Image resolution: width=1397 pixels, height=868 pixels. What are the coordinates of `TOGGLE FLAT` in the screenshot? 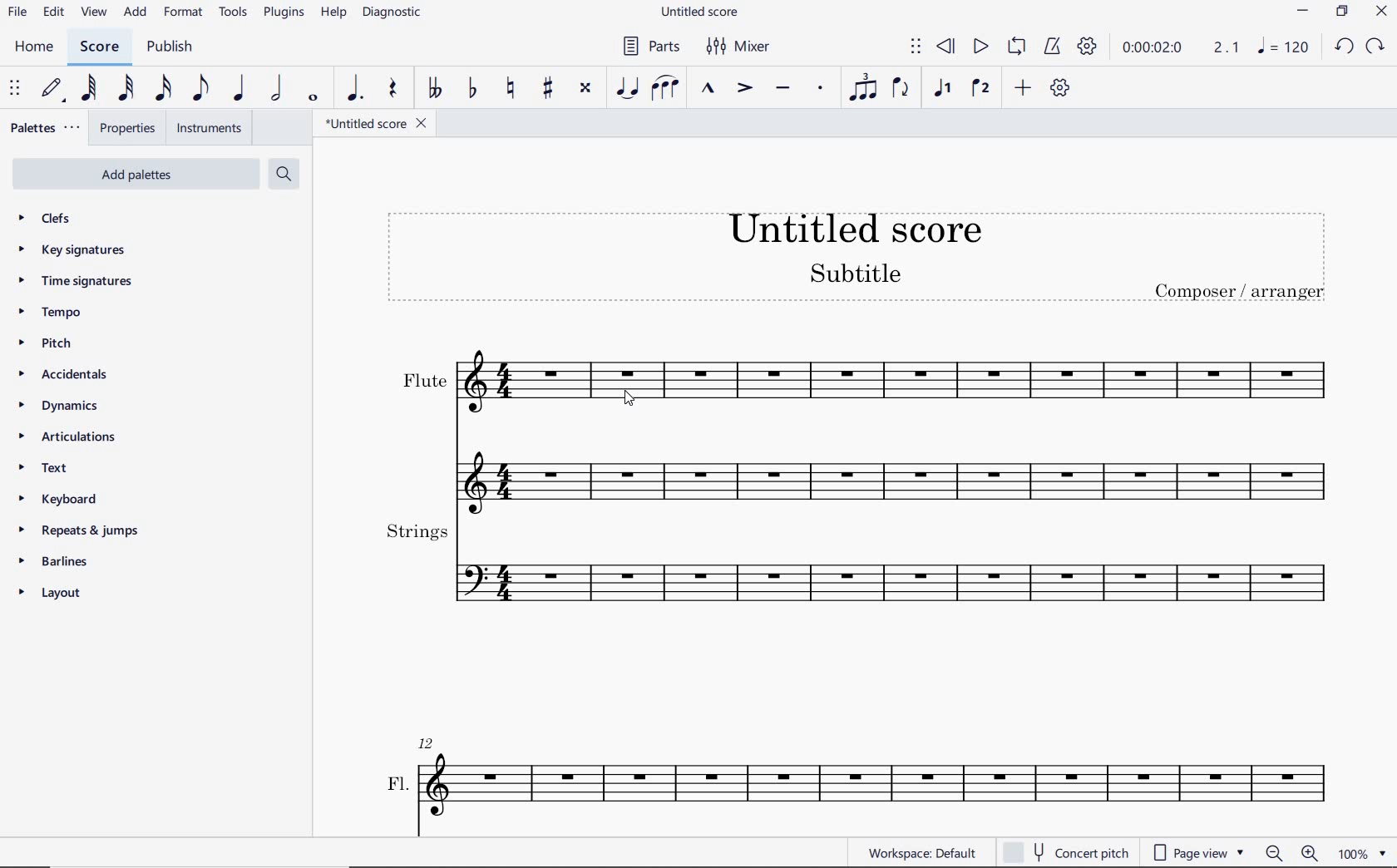 It's located at (471, 89).